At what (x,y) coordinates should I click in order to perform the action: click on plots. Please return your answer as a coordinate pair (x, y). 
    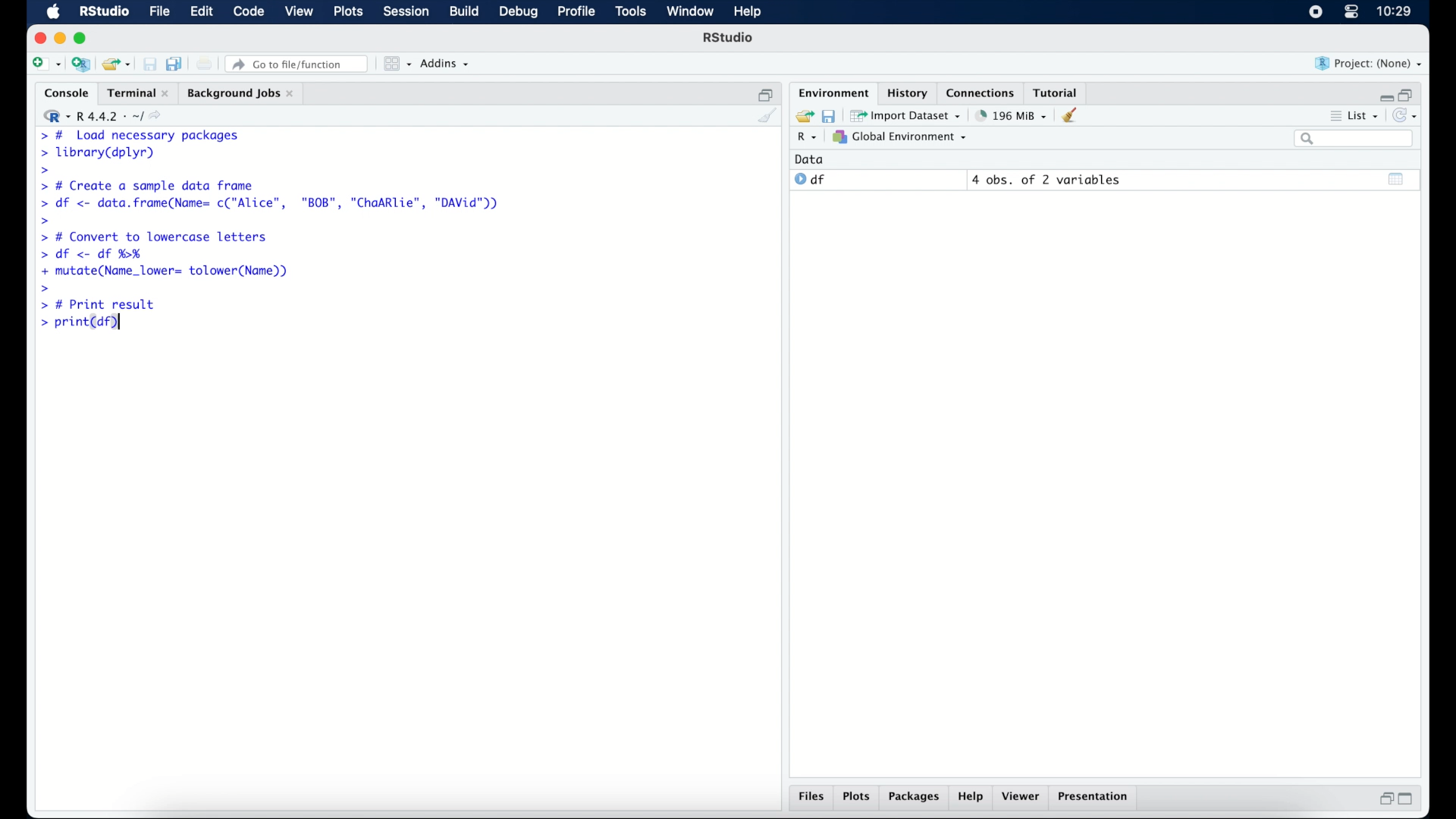
    Looking at the image, I should click on (350, 13).